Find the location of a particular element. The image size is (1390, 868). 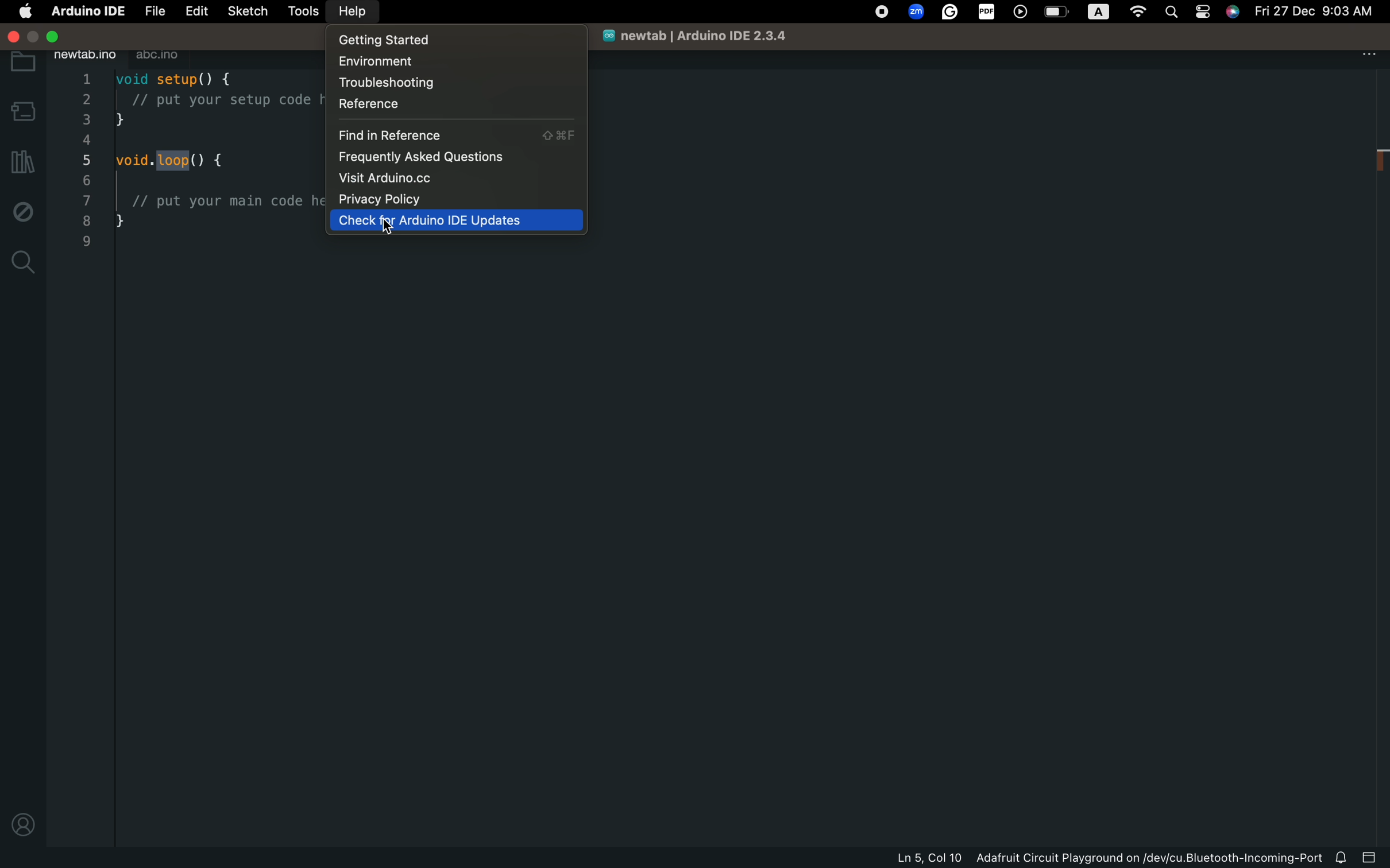

Siri is located at coordinates (1232, 13).